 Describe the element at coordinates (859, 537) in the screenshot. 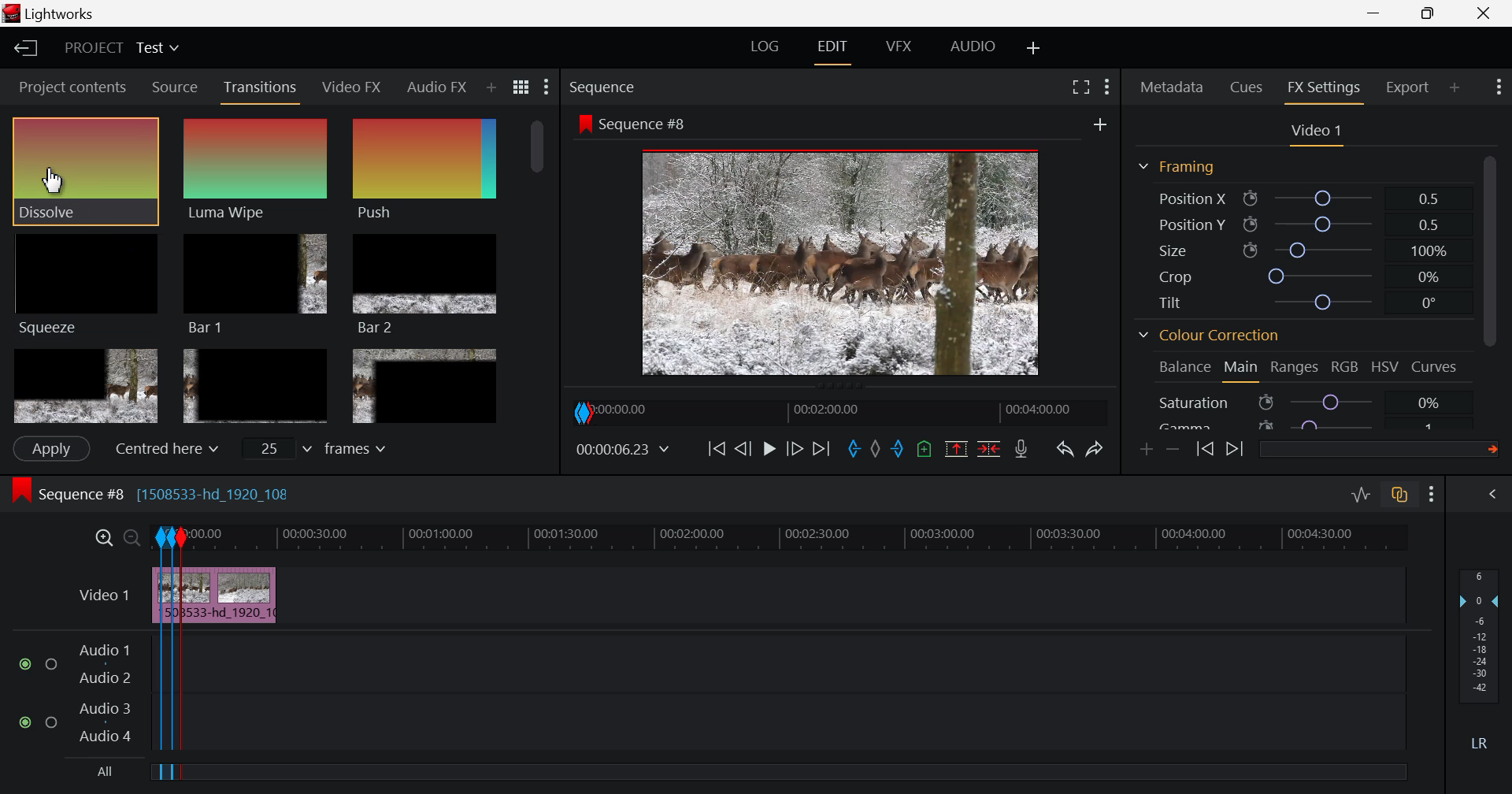

I see `Project Timeline` at that location.